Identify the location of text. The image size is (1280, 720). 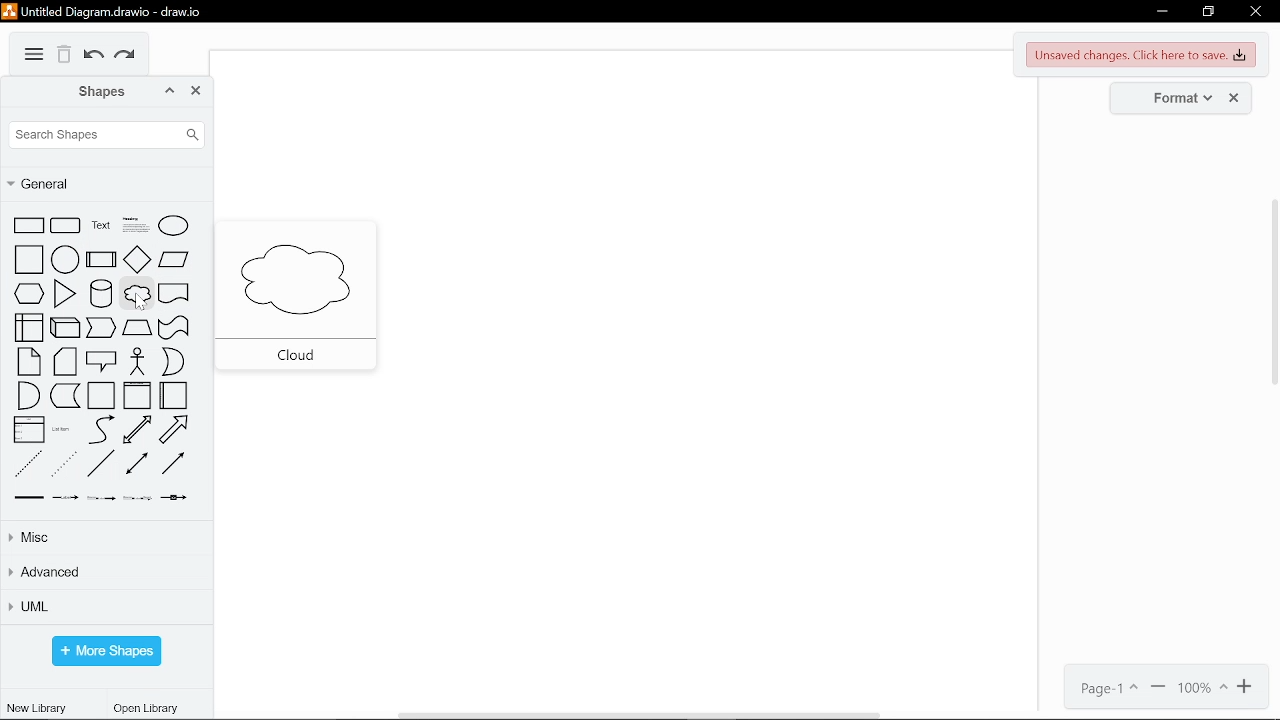
(99, 226).